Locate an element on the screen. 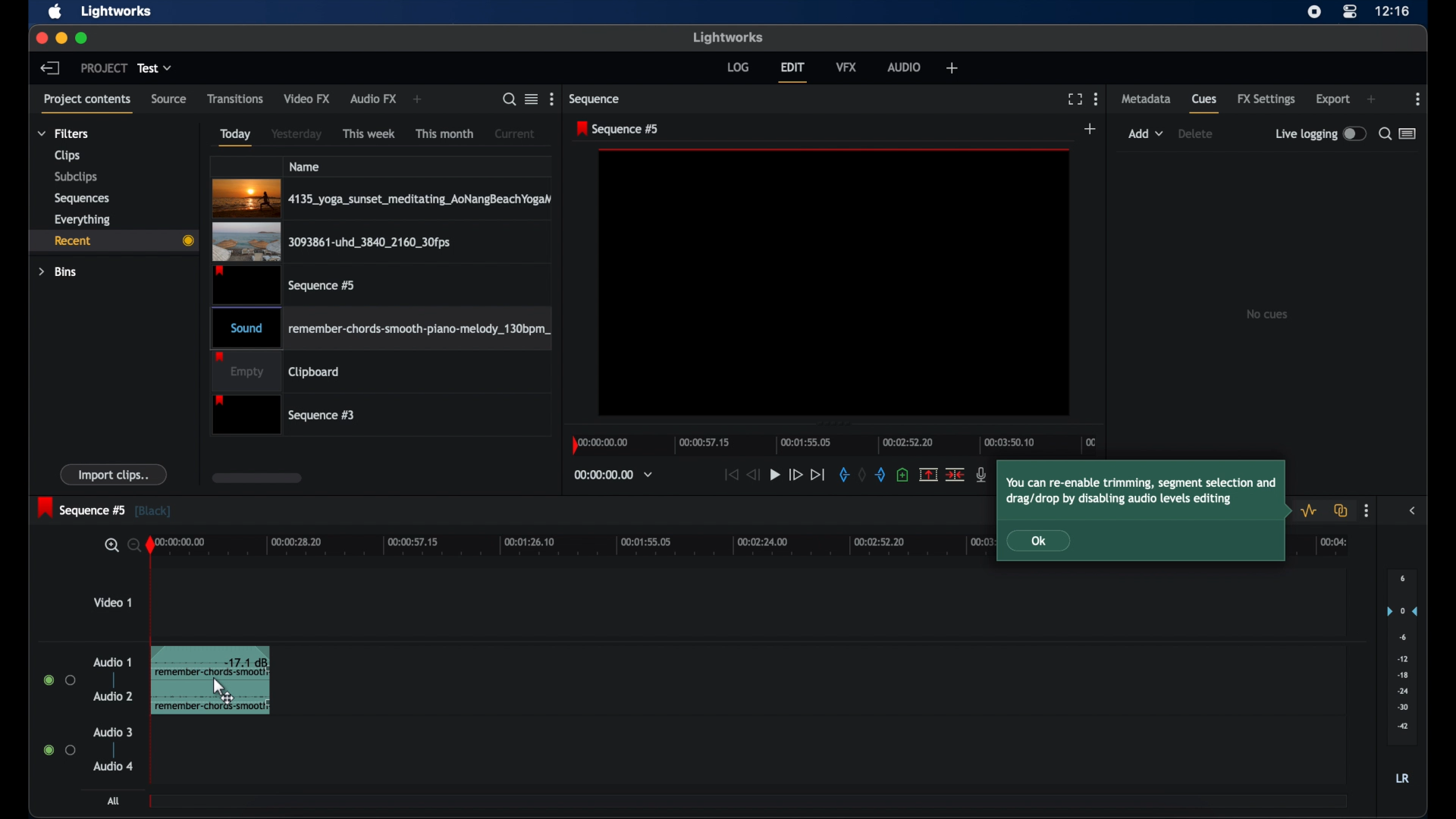 The width and height of the screenshot is (1456, 819). clips is located at coordinates (68, 155).